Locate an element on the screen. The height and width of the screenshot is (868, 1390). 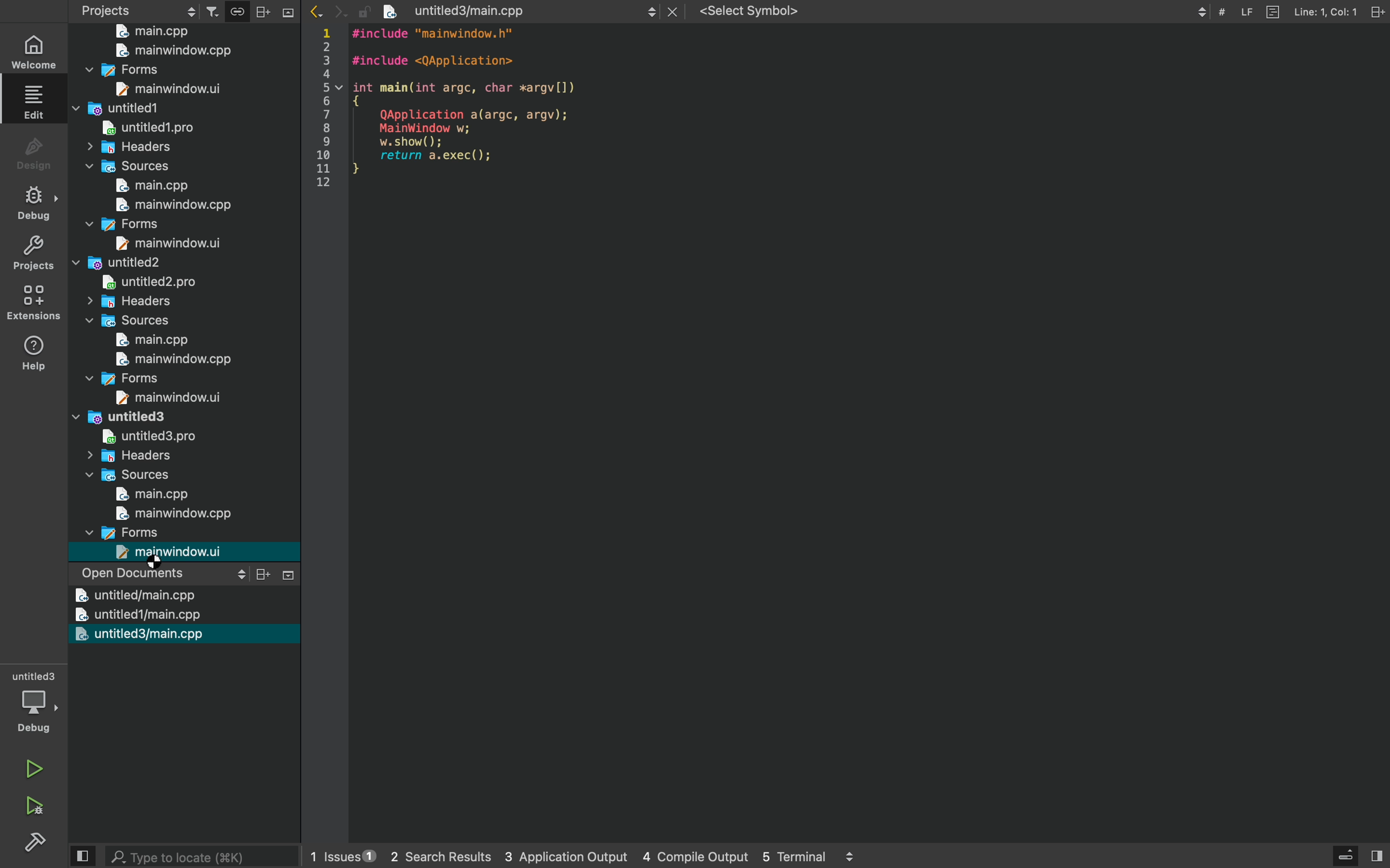
mainwindow is located at coordinates (143, 417).